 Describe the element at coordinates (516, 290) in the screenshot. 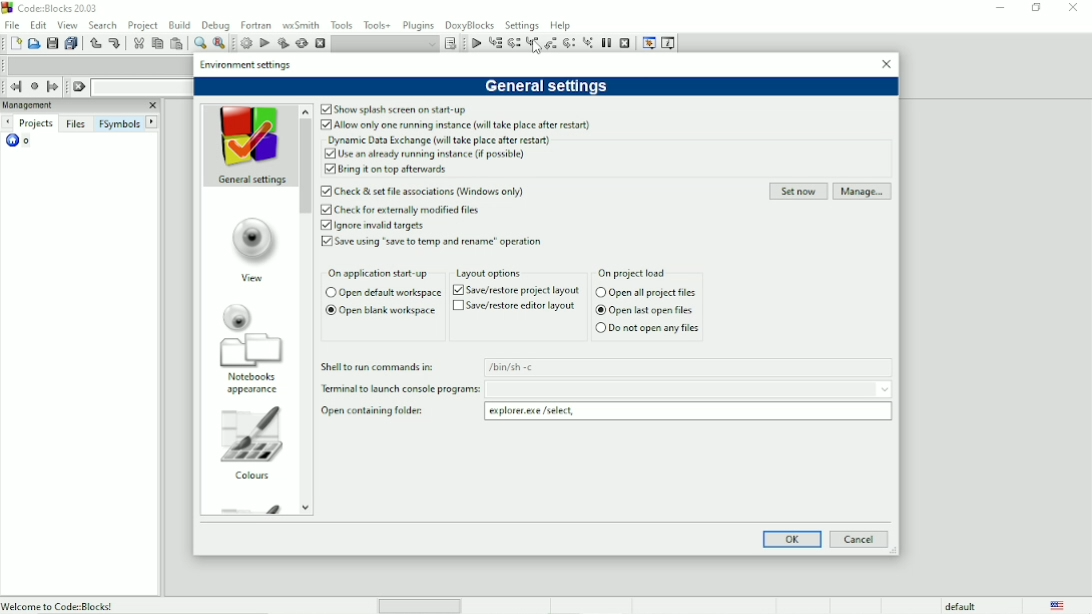

I see `Save/restore project layout` at that location.